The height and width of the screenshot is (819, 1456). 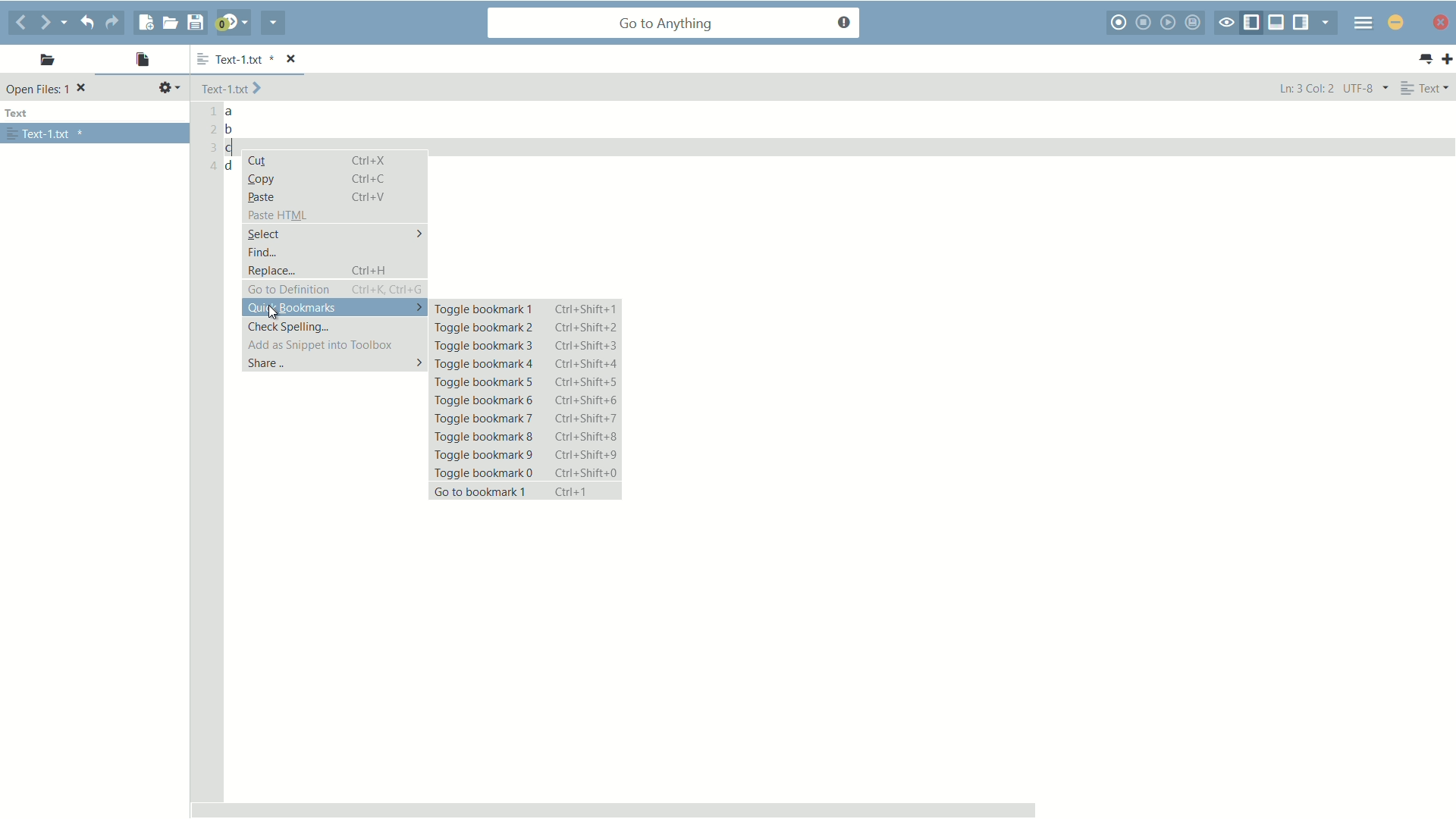 What do you see at coordinates (1426, 59) in the screenshot?
I see `all tabs` at bounding box center [1426, 59].